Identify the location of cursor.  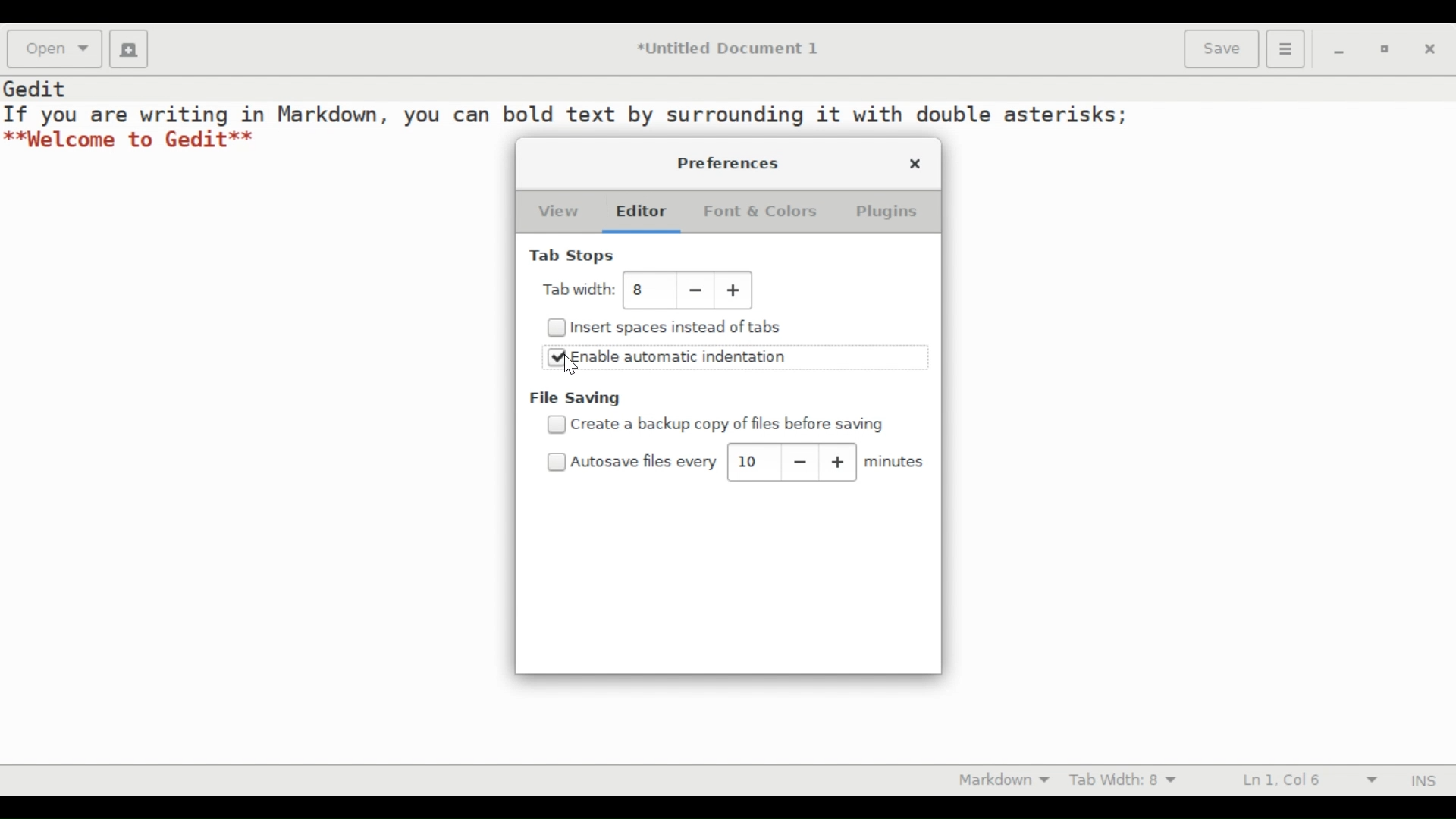
(574, 368).